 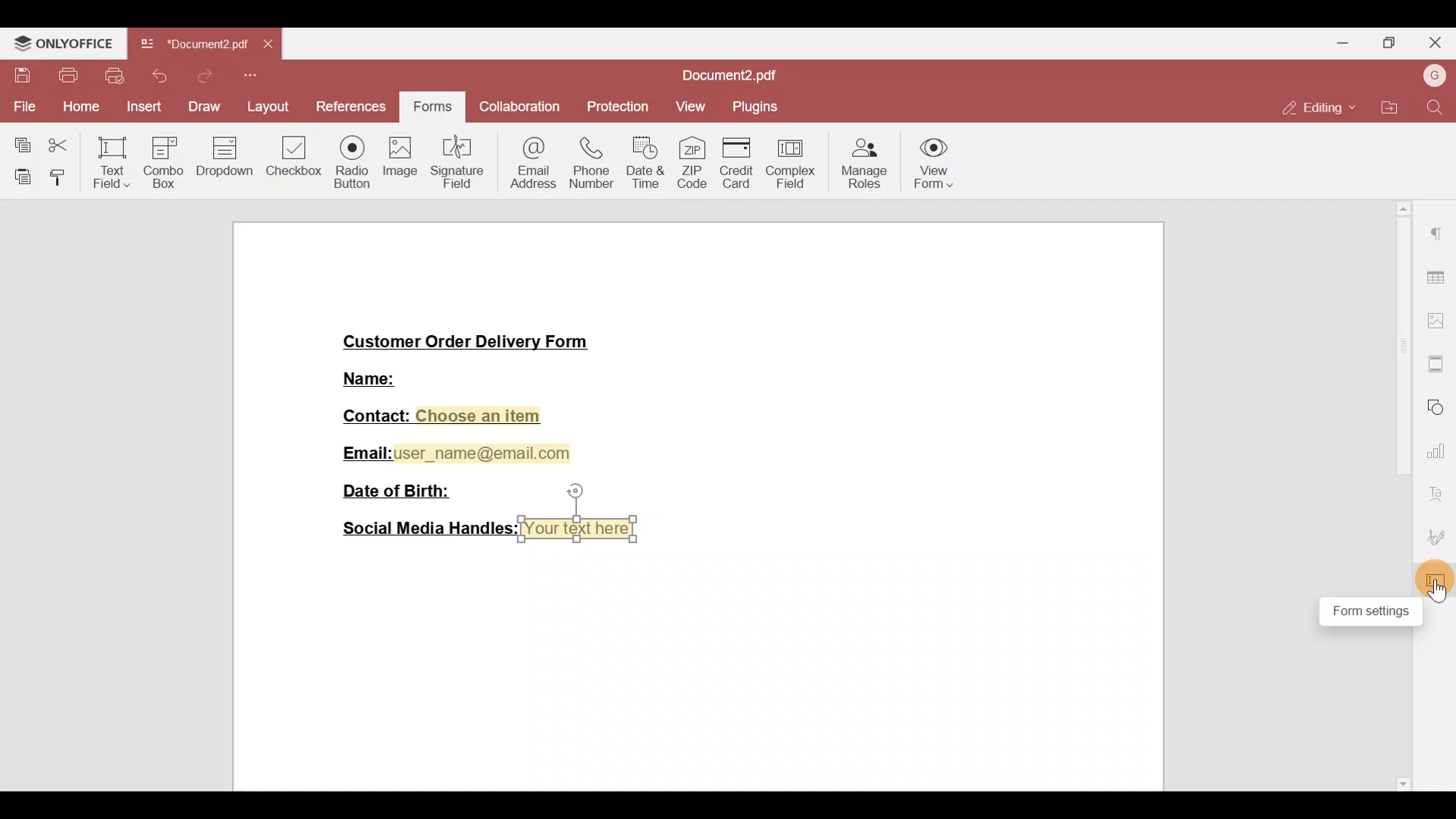 What do you see at coordinates (266, 105) in the screenshot?
I see `Layout` at bounding box center [266, 105].